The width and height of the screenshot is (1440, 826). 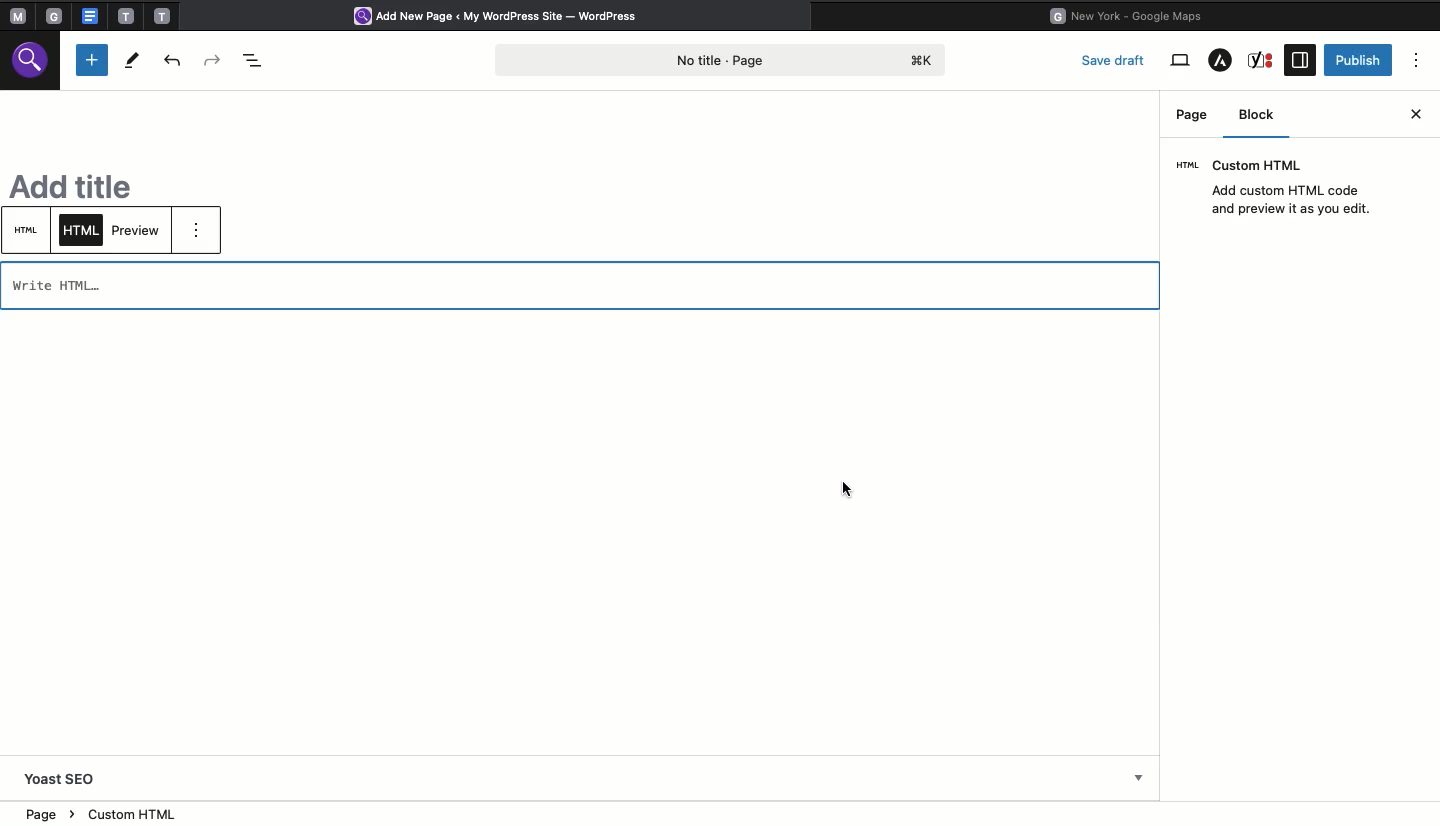 What do you see at coordinates (119, 815) in the screenshot?
I see `page custom html` at bounding box center [119, 815].